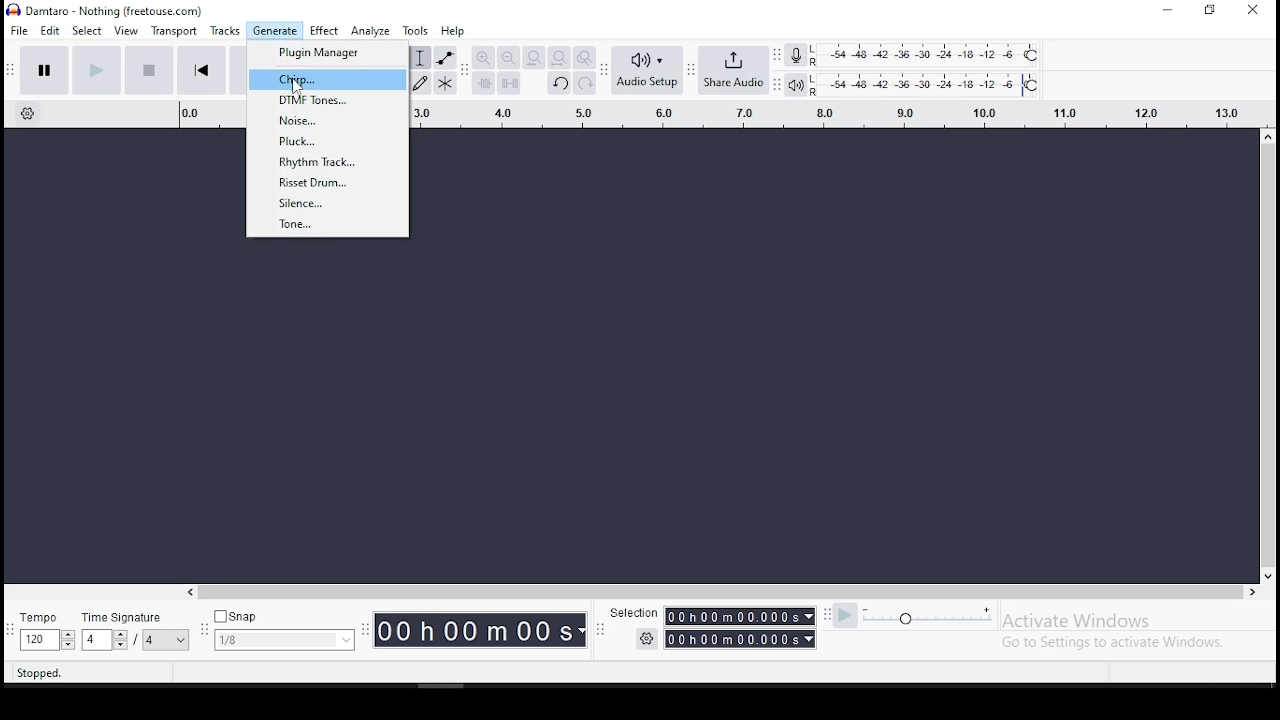 The image size is (1280, 720). Describe the element at coordinates (1258, 313) in the screenshot. I see `vertical scroll bar` at that location.